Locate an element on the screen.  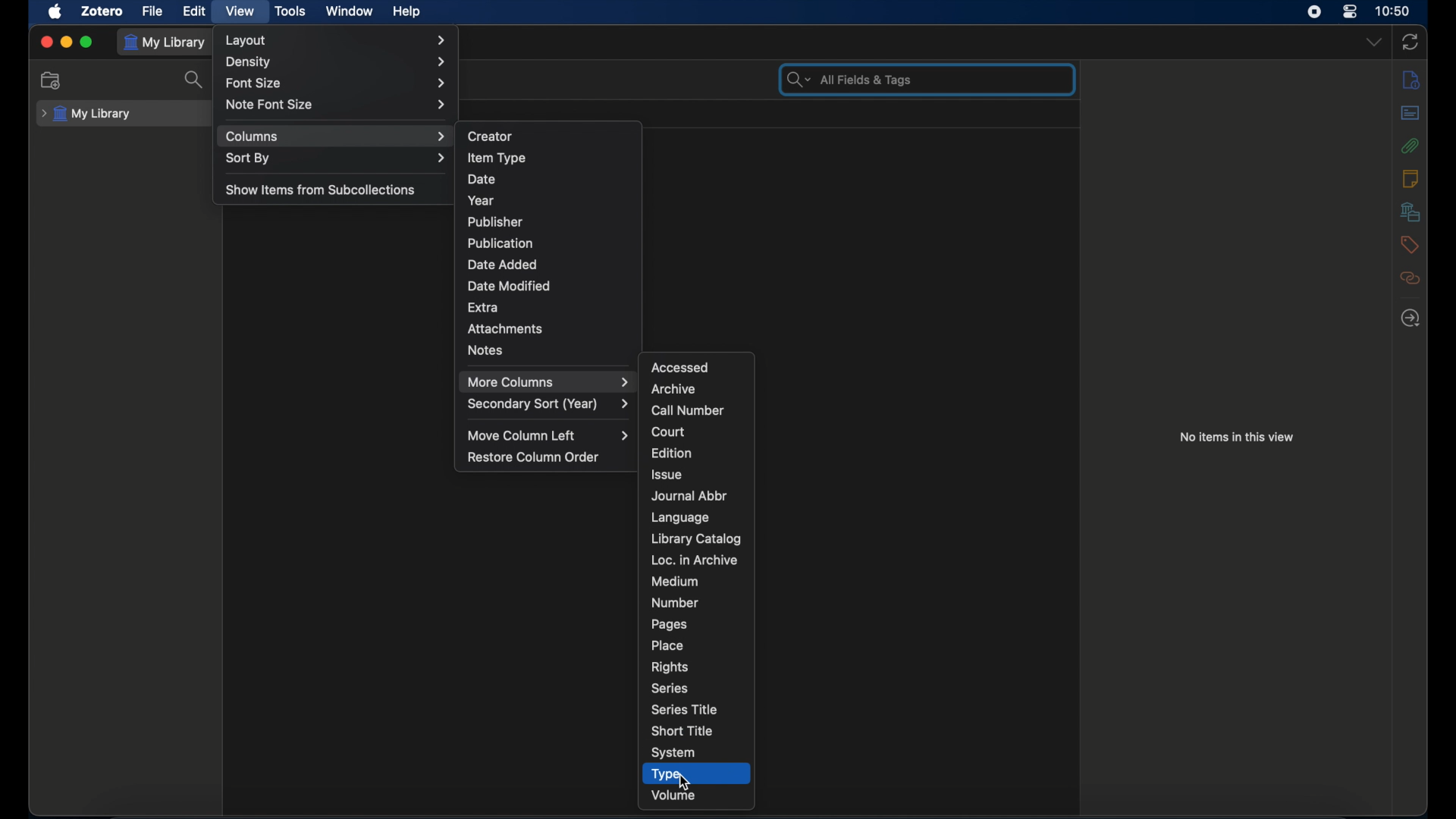
tags is located at coordinates (1409, 245).